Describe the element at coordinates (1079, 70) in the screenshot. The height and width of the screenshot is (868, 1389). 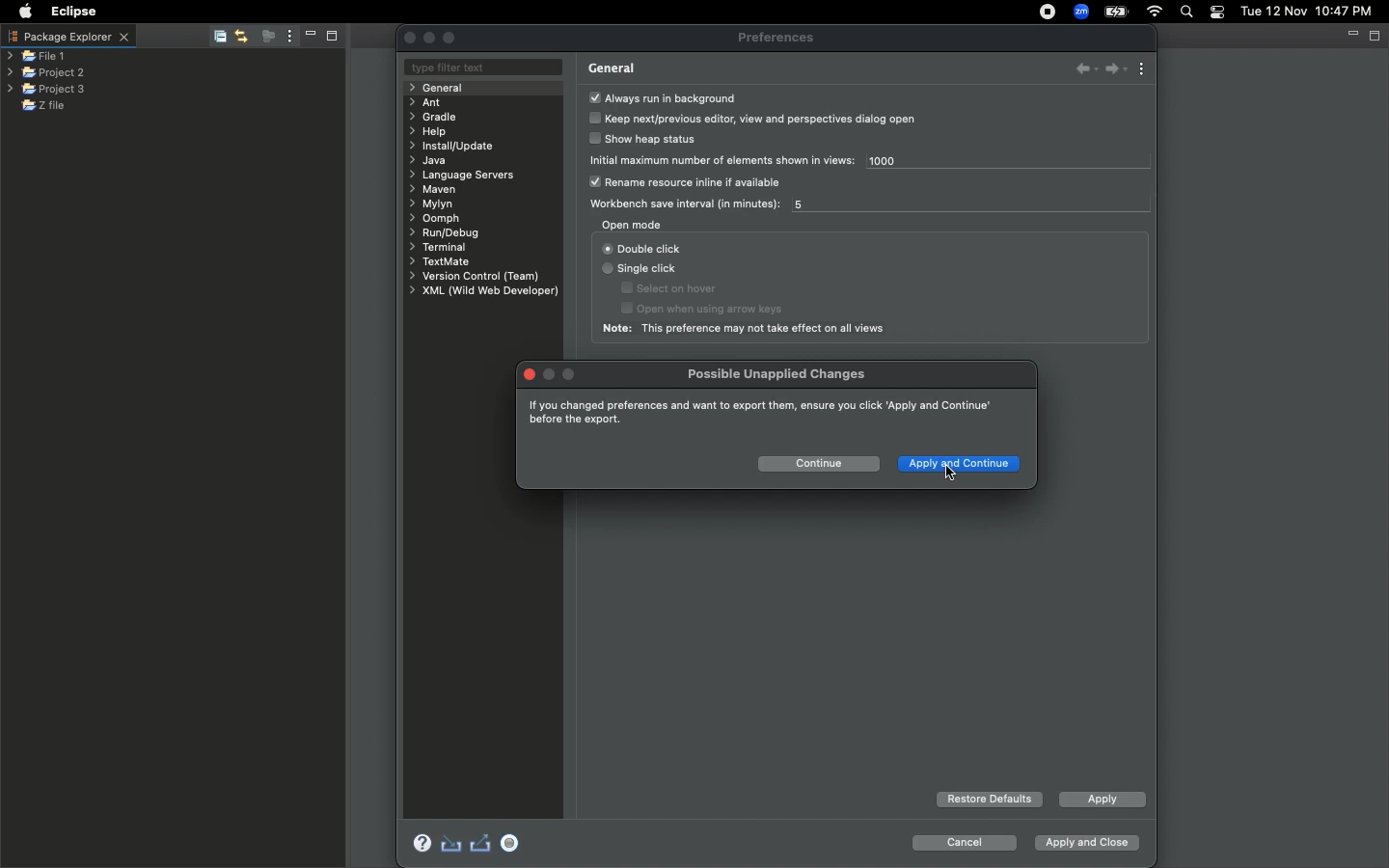
I see `Backward` at that location.